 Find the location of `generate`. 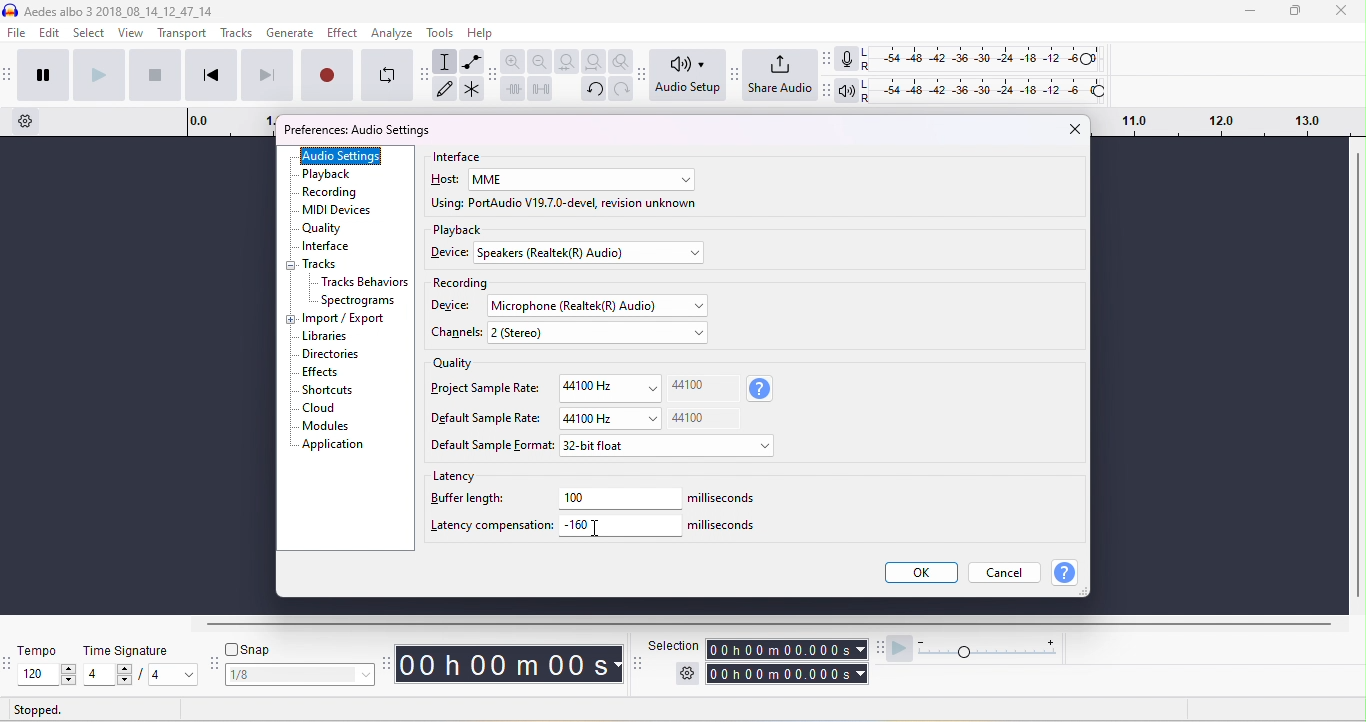

generate is located at coordinates (291, 34).